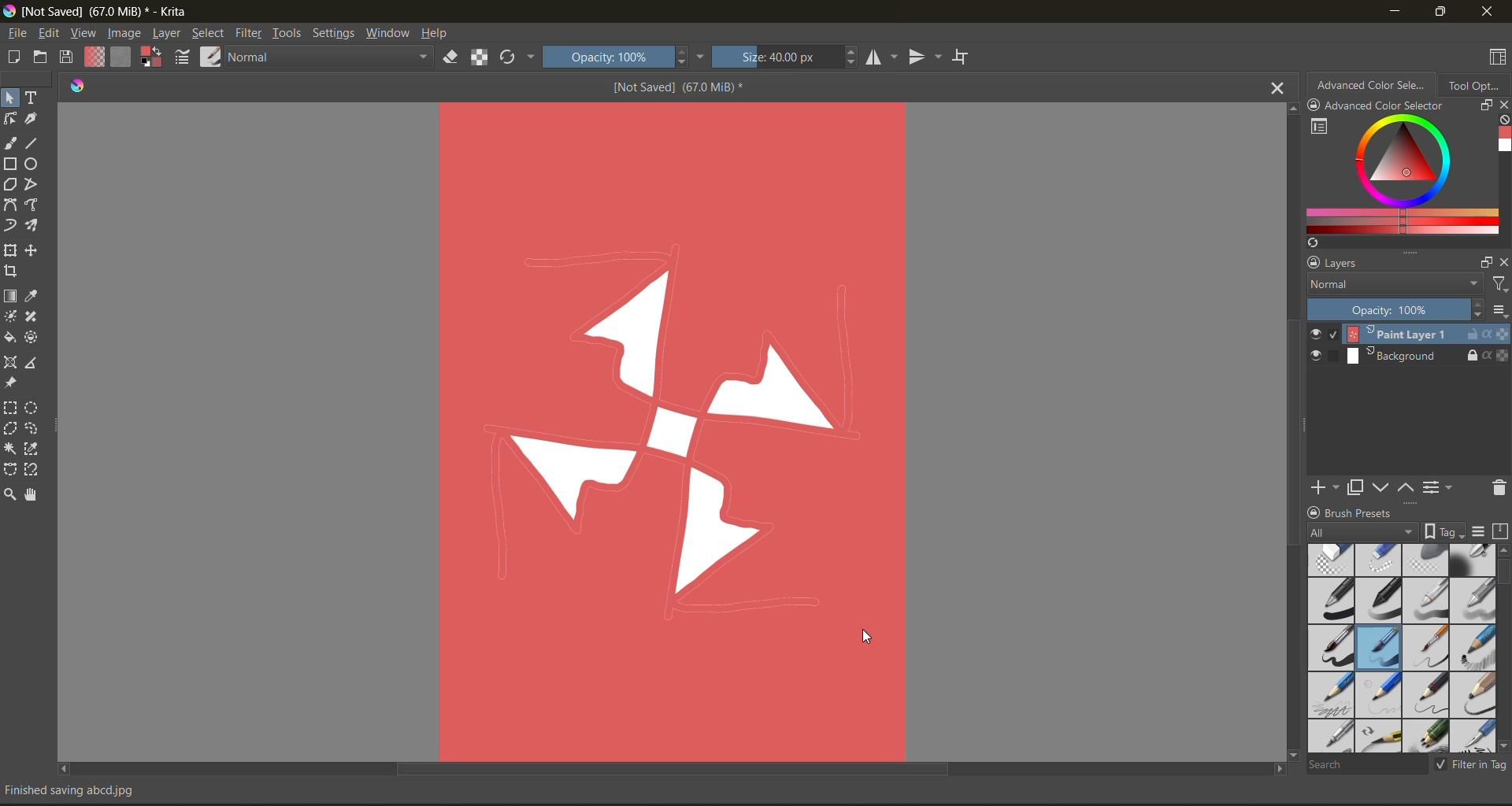 The height and width of the screenshot is (806, 1512). Describe the element at coordinates (511, 55) in the screenshot. I see `reload original preset` at that location.